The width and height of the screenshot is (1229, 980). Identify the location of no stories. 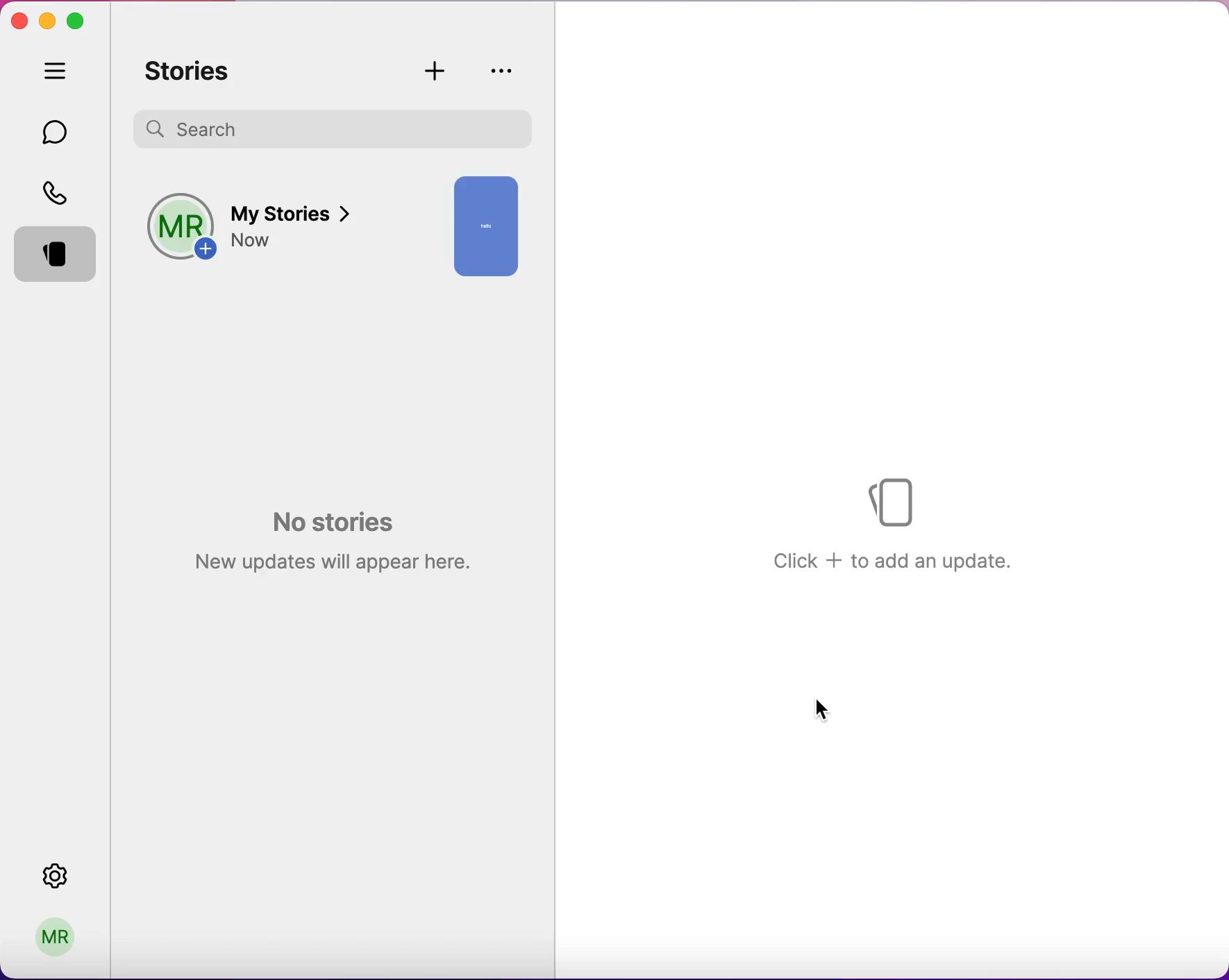
(328, 538).